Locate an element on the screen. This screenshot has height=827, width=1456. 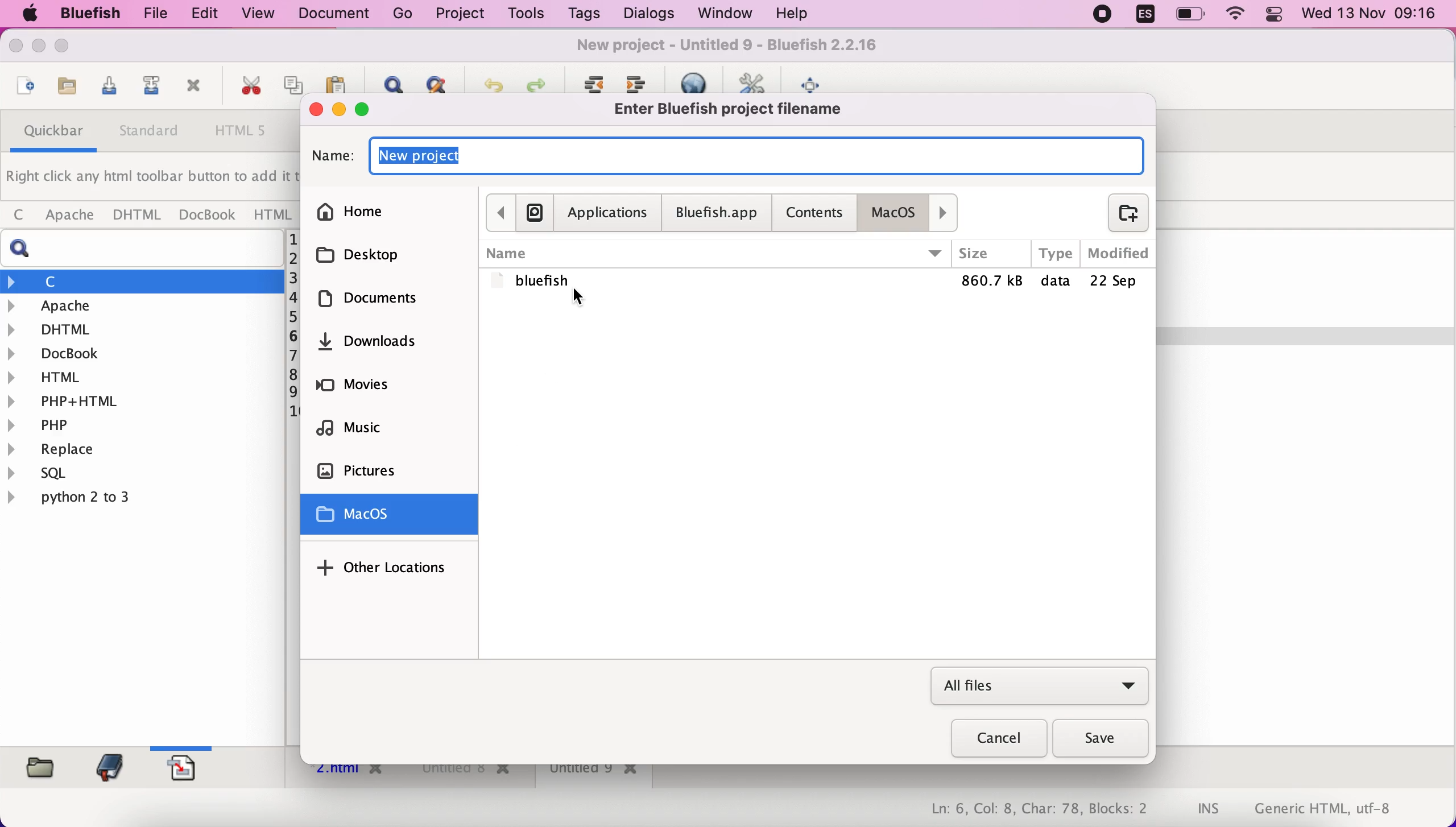
go is located at coordinates (403, 14).